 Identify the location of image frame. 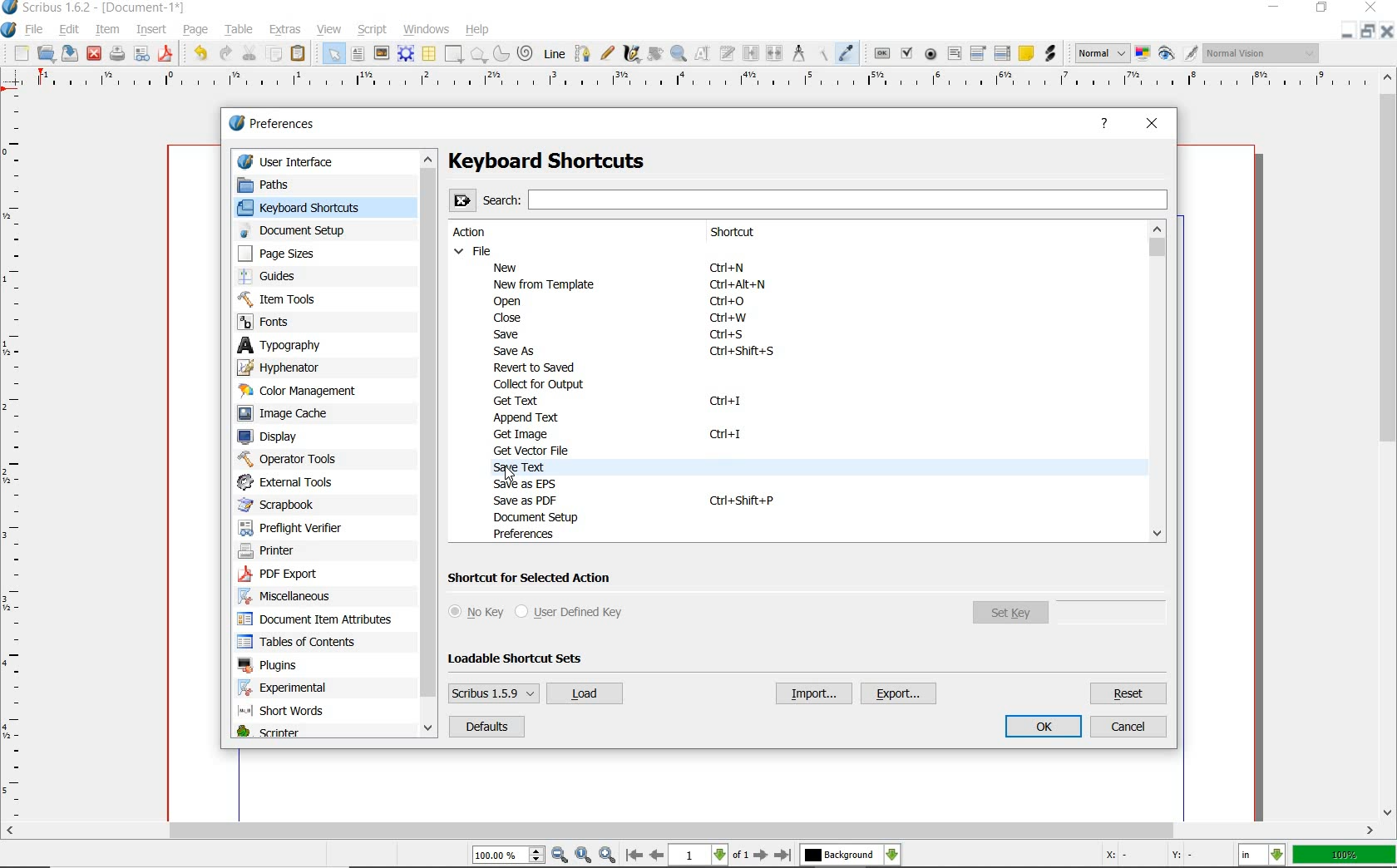
(382, 55).